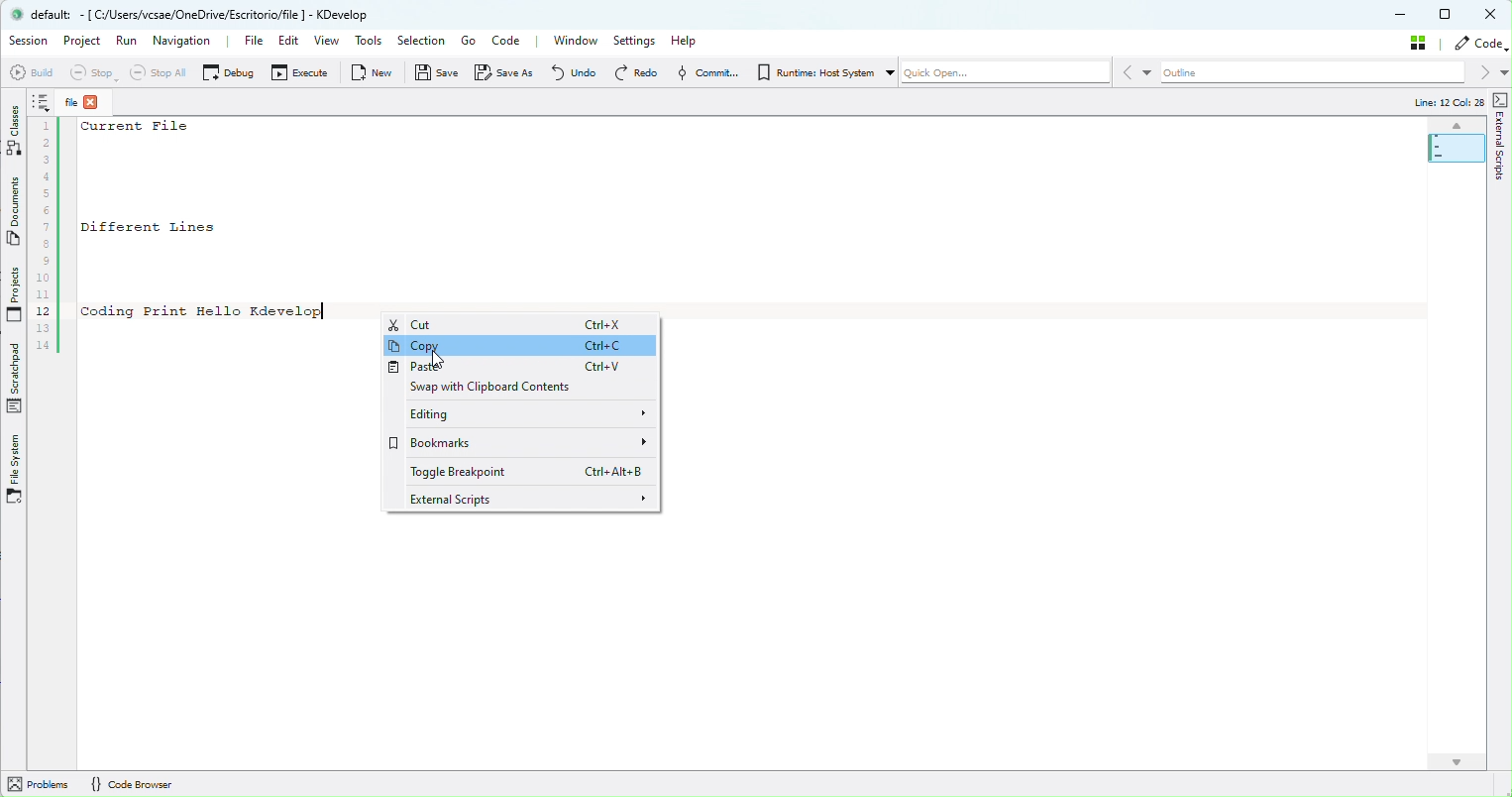  What do you see at coordinates (18, 464) in the screenshot?
I see `File System` at bounding box center [18, 464].